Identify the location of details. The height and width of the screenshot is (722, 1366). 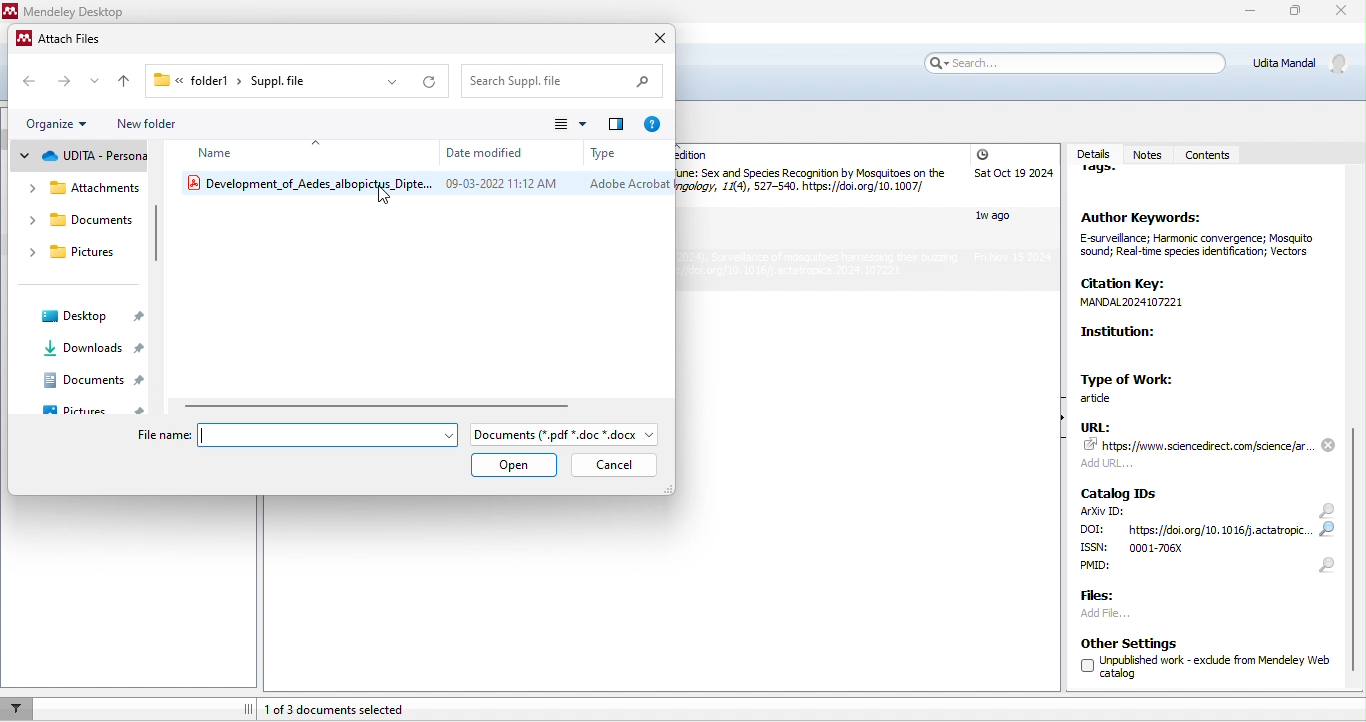
(1091, 149).